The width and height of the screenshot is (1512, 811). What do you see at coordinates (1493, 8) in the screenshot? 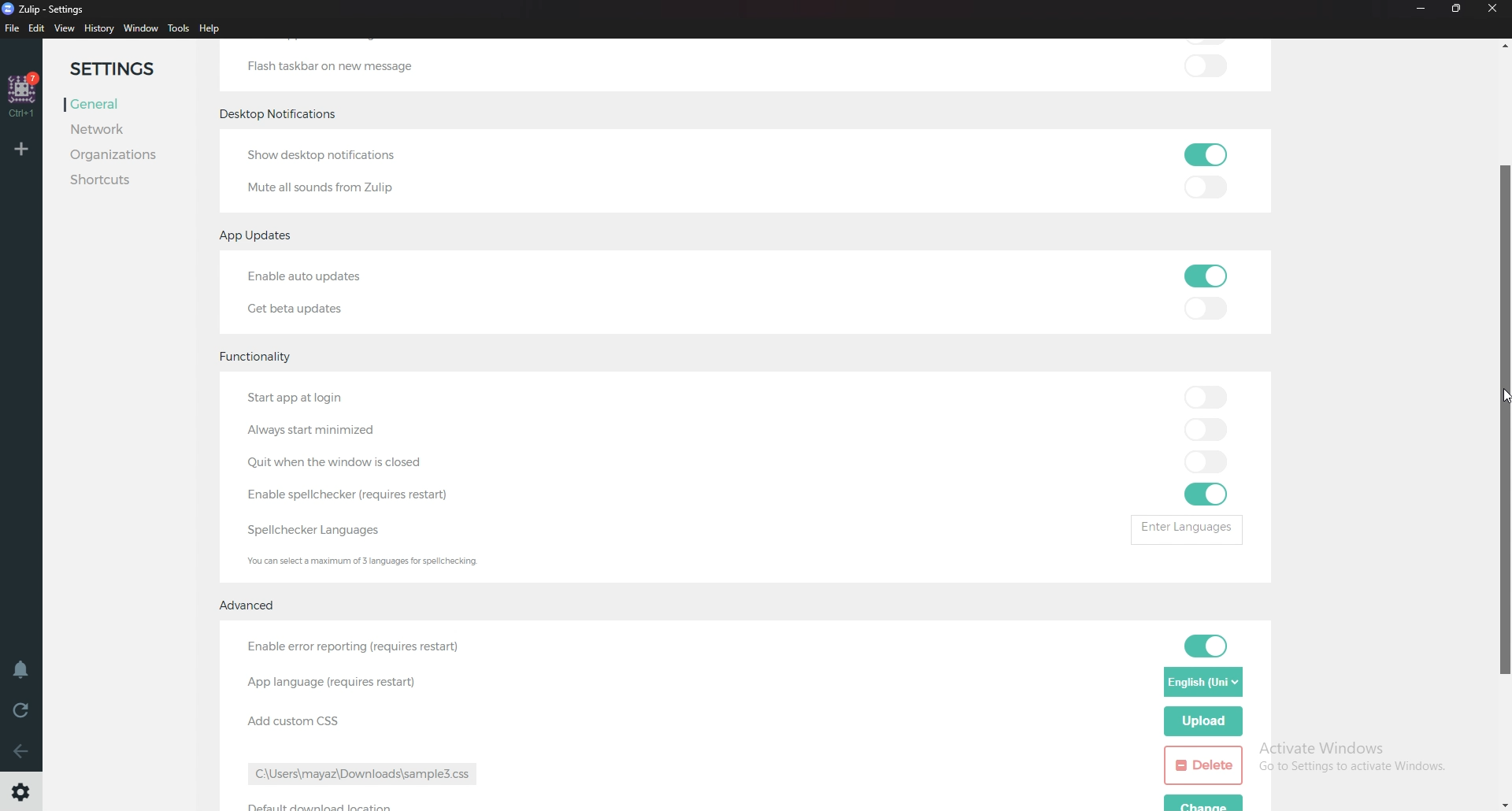
I see `Close` at bounding box center [1493, 8].